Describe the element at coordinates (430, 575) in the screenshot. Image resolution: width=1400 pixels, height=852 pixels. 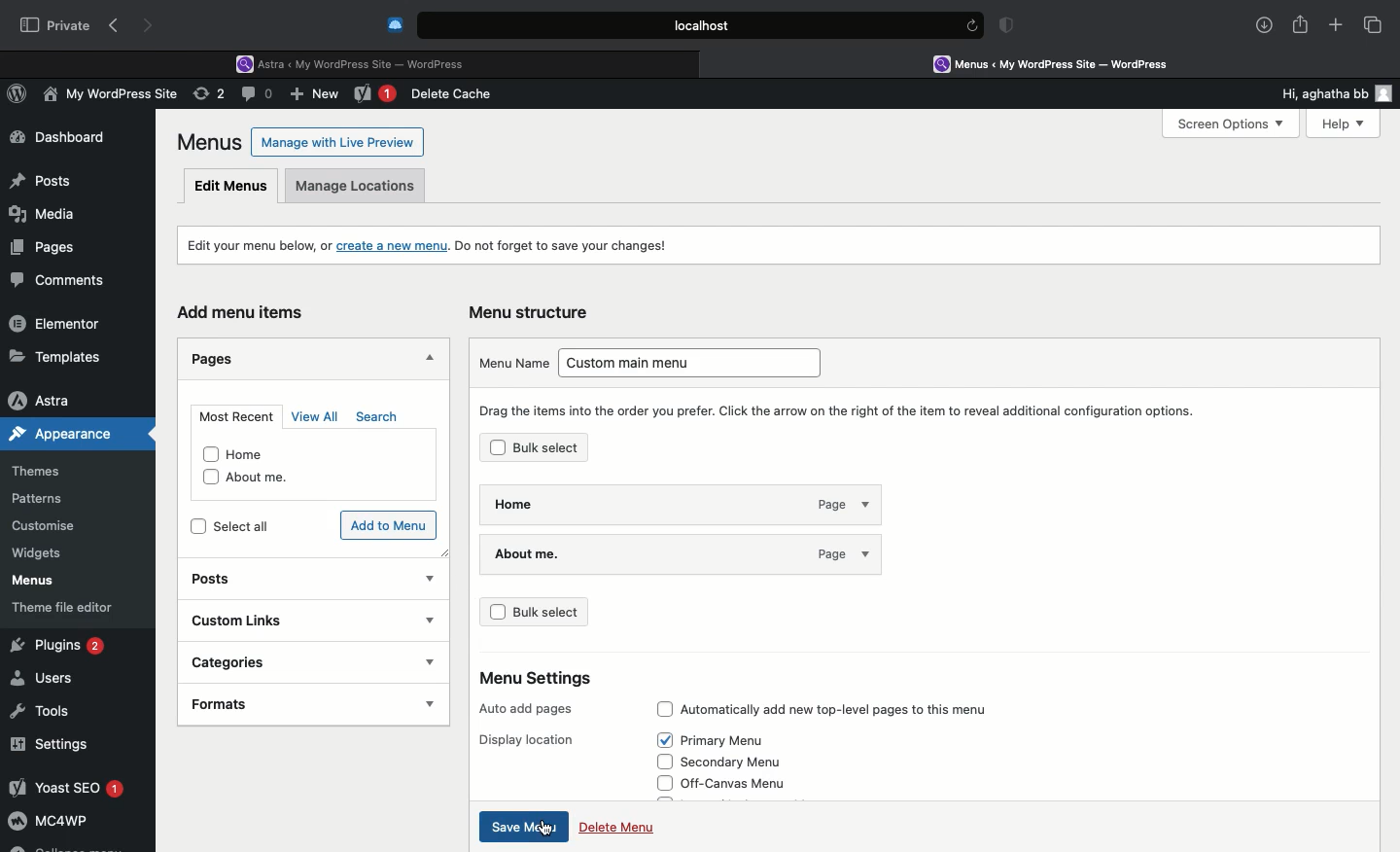
I see `Show` at that location.